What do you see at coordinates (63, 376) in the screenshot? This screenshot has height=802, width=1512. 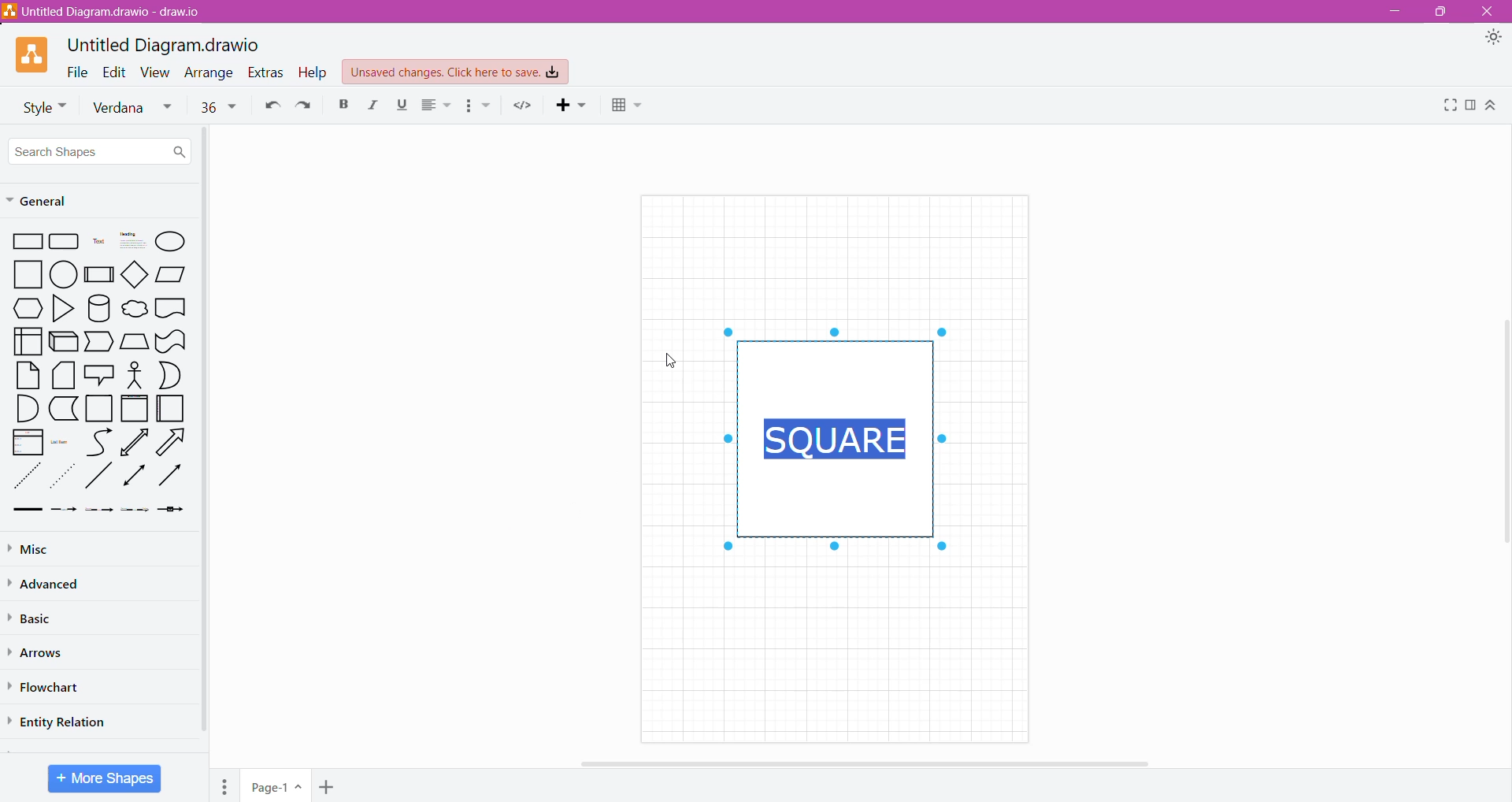 I see `Stacked Papers` at bounding box center [63, 376].